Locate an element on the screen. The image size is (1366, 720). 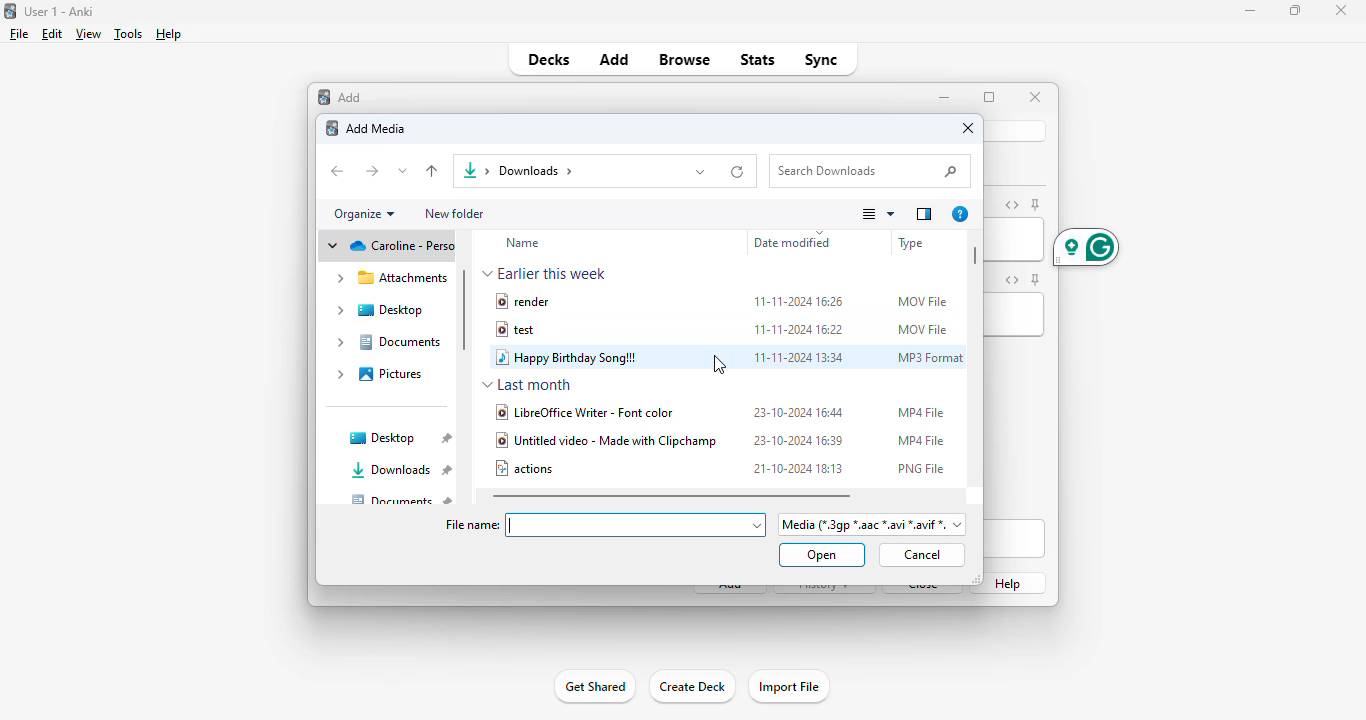
stats is located at coordinates (757, 60).